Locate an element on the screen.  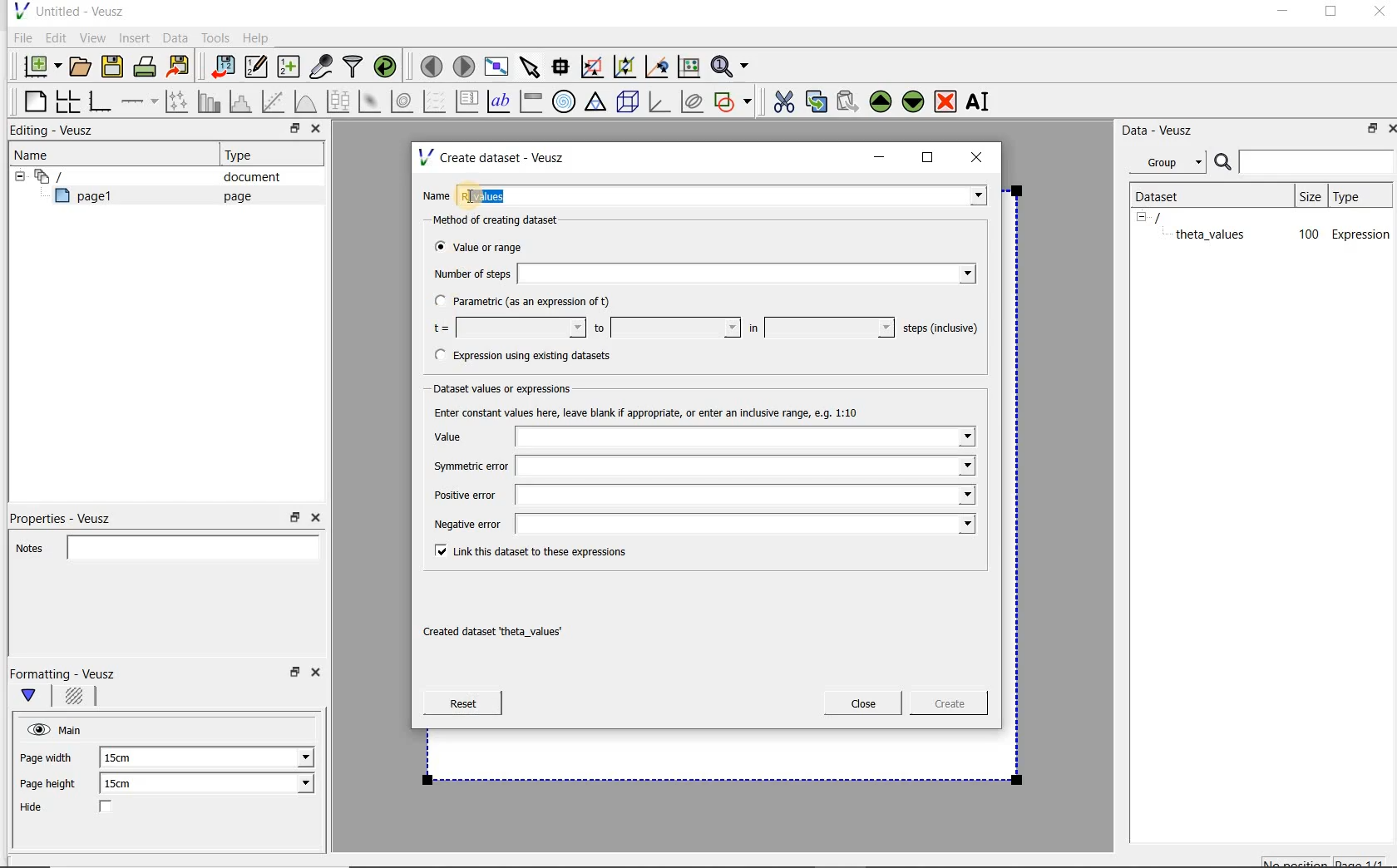
plot a 2d dataset as an image is located at coordinates (372, 102).